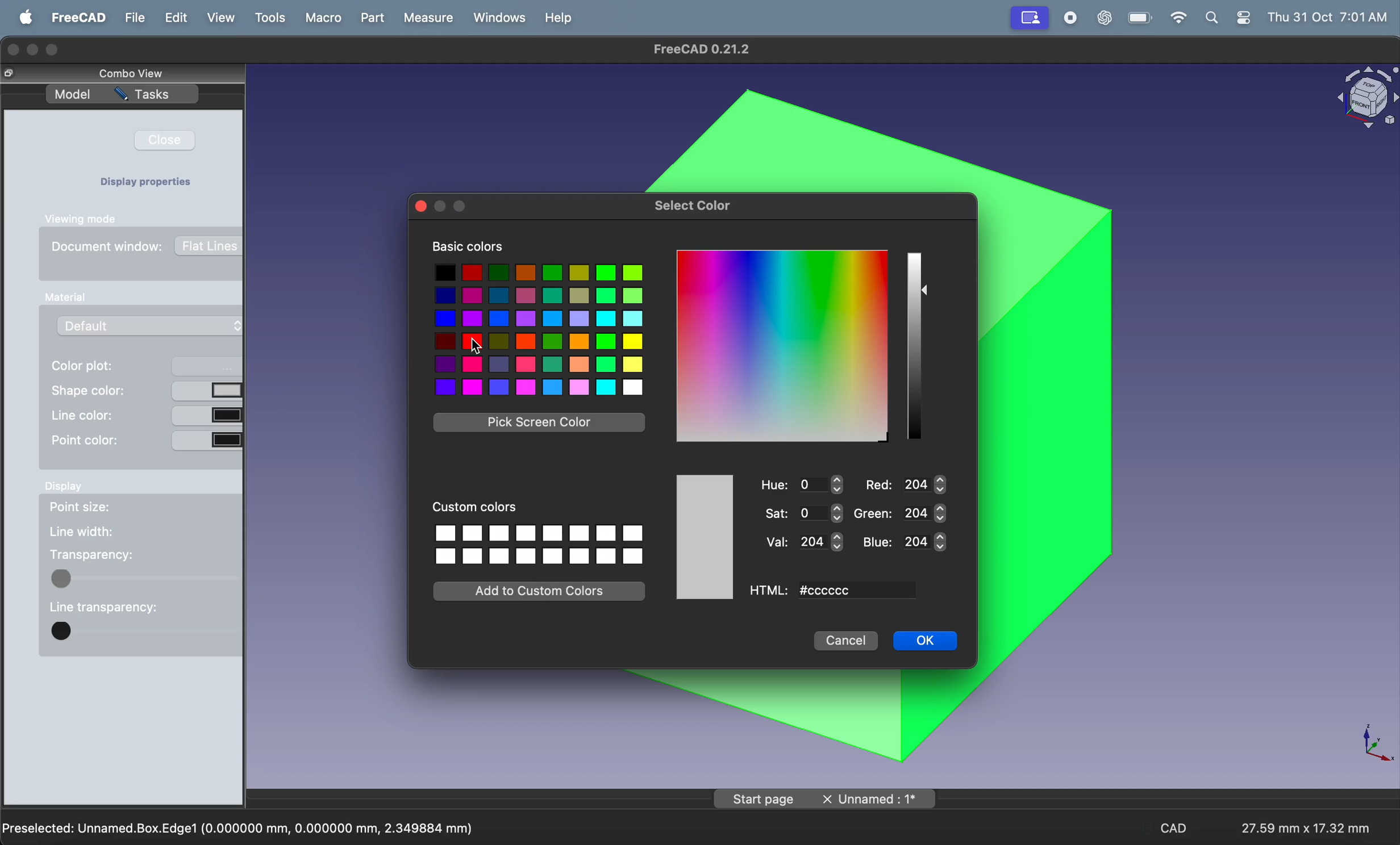  Describe the element at coordinates (539, 545) in the screenshot. I see `option` at that location.